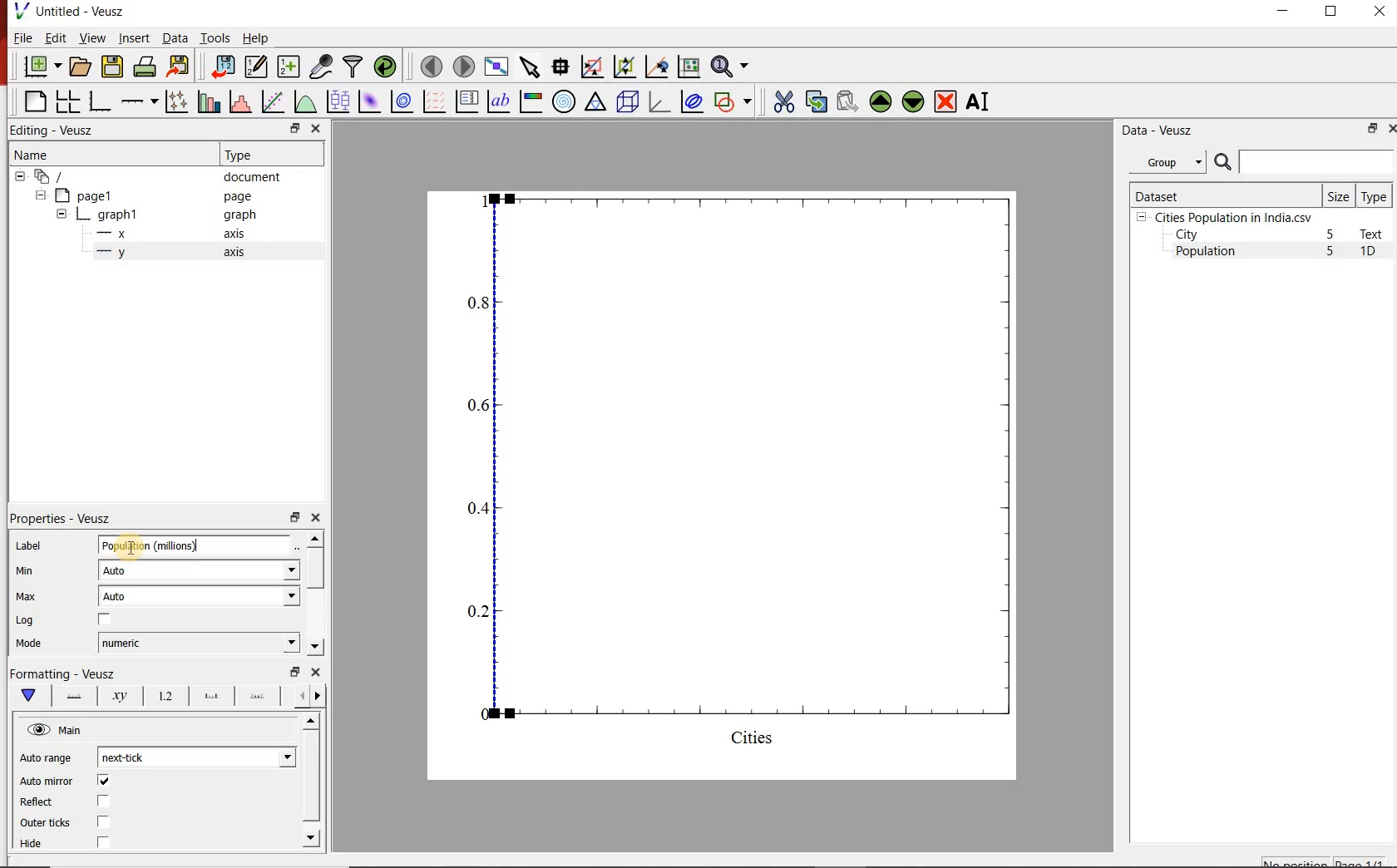 Image resolution: width=1397 pixels, height=868 pixels. I want to click on Mode, so click(33, 644).